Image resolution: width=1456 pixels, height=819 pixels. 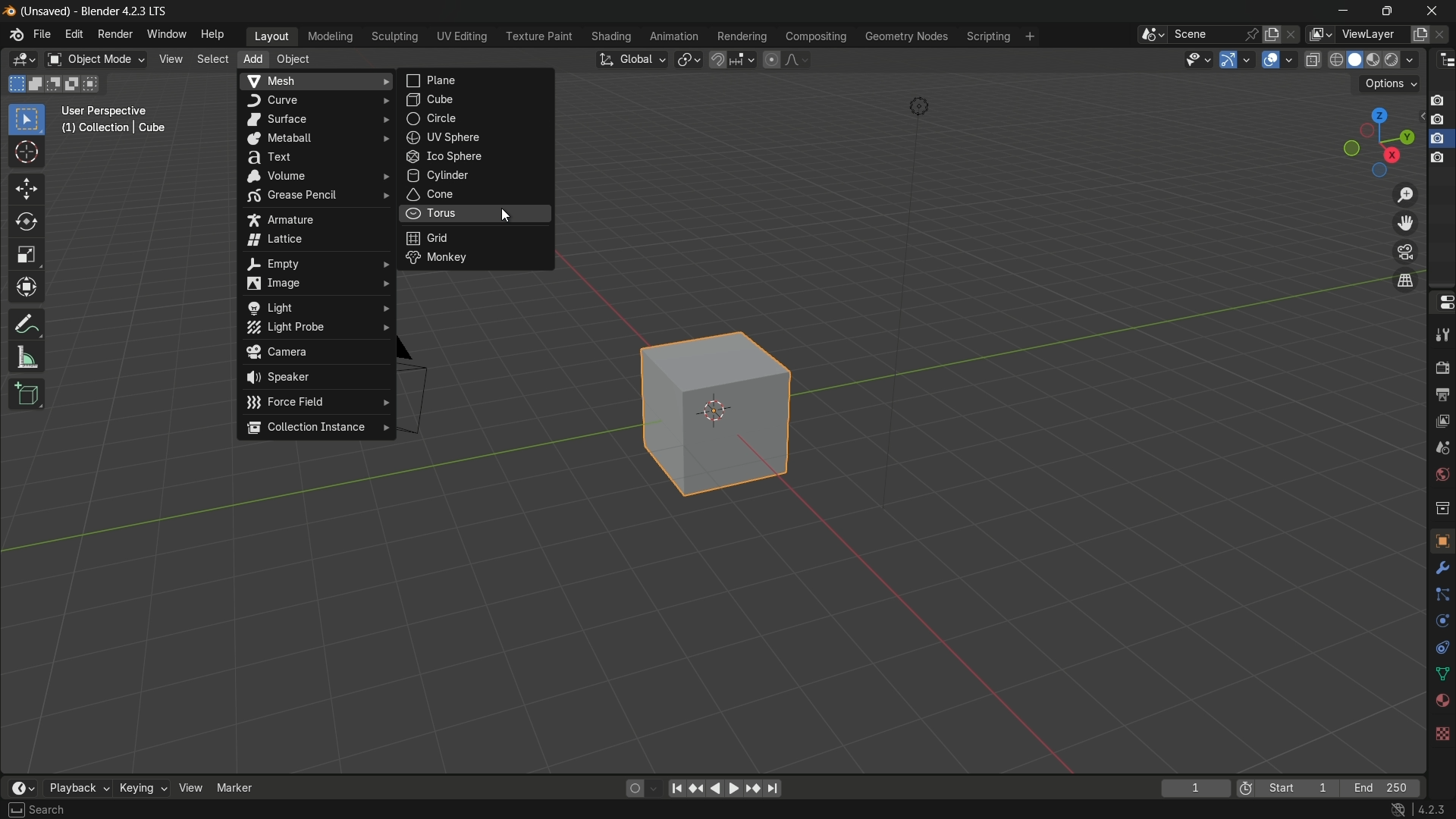 What do you see at coordinates (1204, 34) in the screenshot?
I see `scene` at bounding box center [1204, 34].